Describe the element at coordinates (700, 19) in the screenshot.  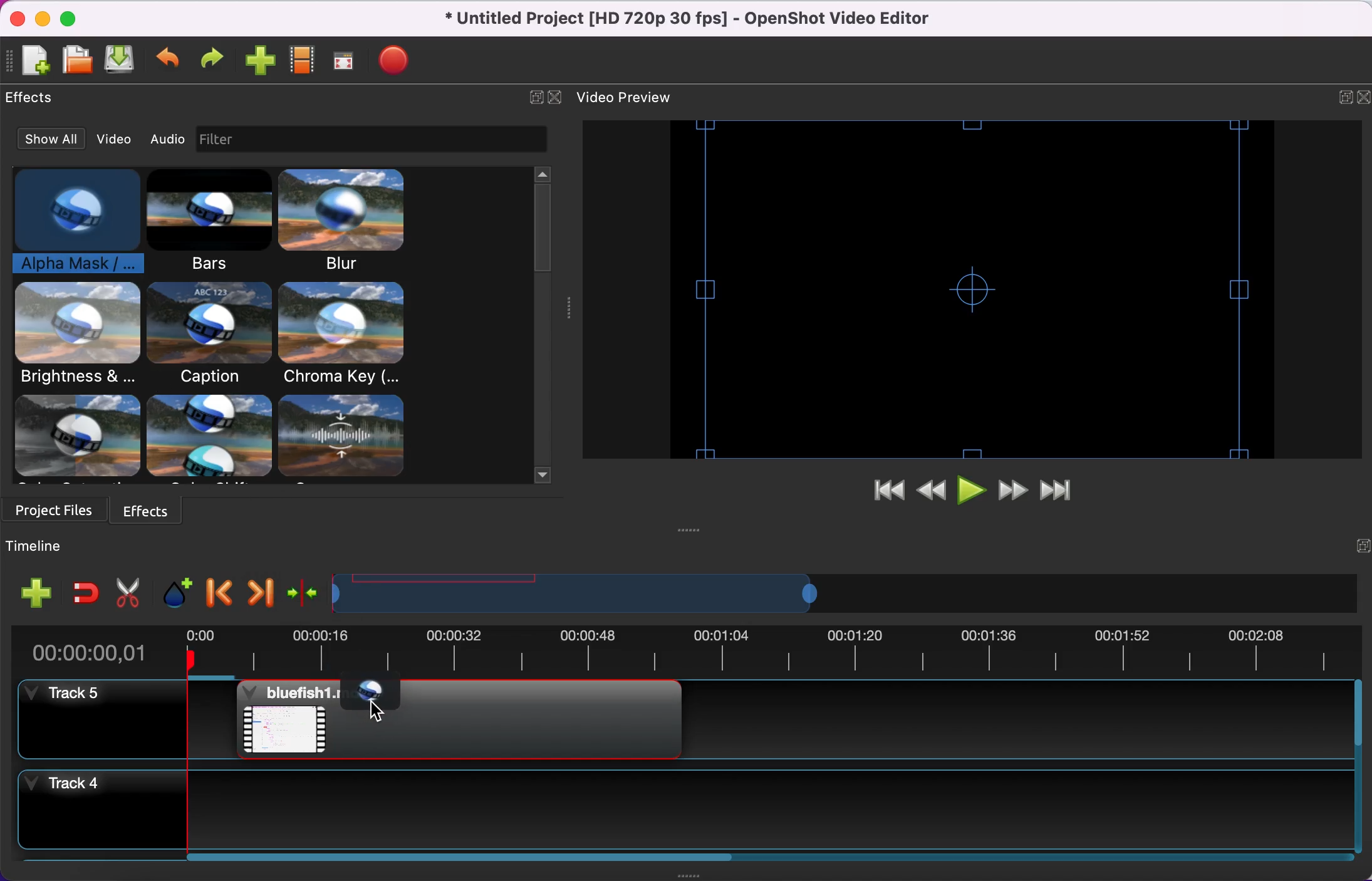
I see `title` at that location.